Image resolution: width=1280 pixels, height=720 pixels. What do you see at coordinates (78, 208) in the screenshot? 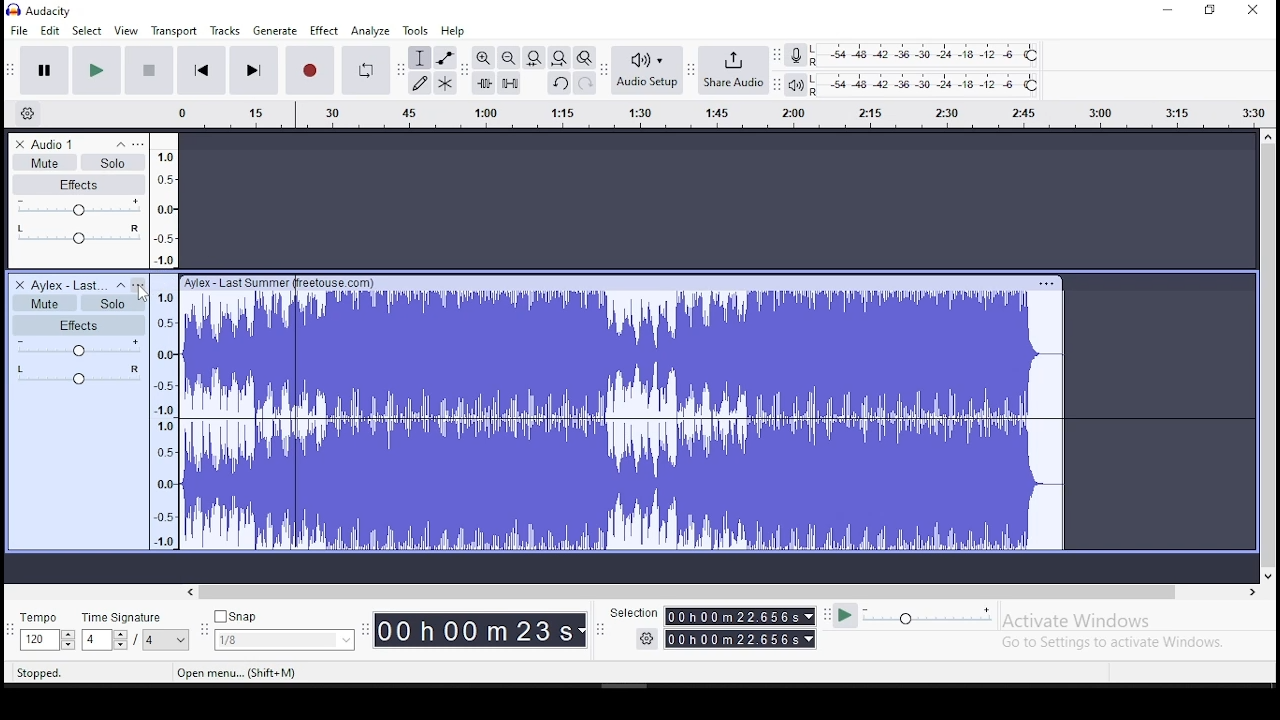
I see `volume` at bounding box center [78, 208].